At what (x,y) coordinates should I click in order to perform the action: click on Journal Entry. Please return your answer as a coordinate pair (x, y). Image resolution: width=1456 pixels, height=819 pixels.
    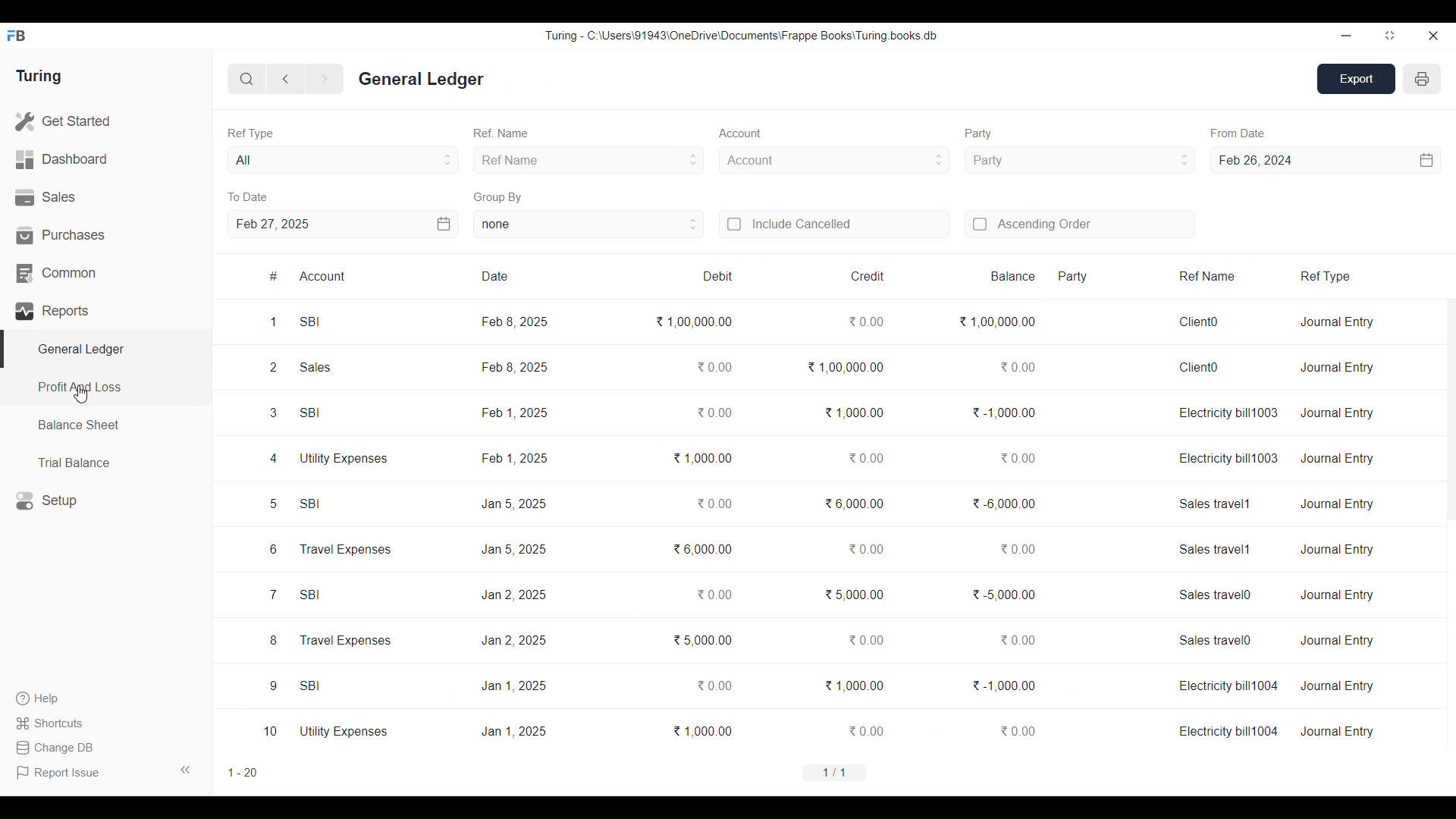
    Looking at the image, I should click on (1339, 686).